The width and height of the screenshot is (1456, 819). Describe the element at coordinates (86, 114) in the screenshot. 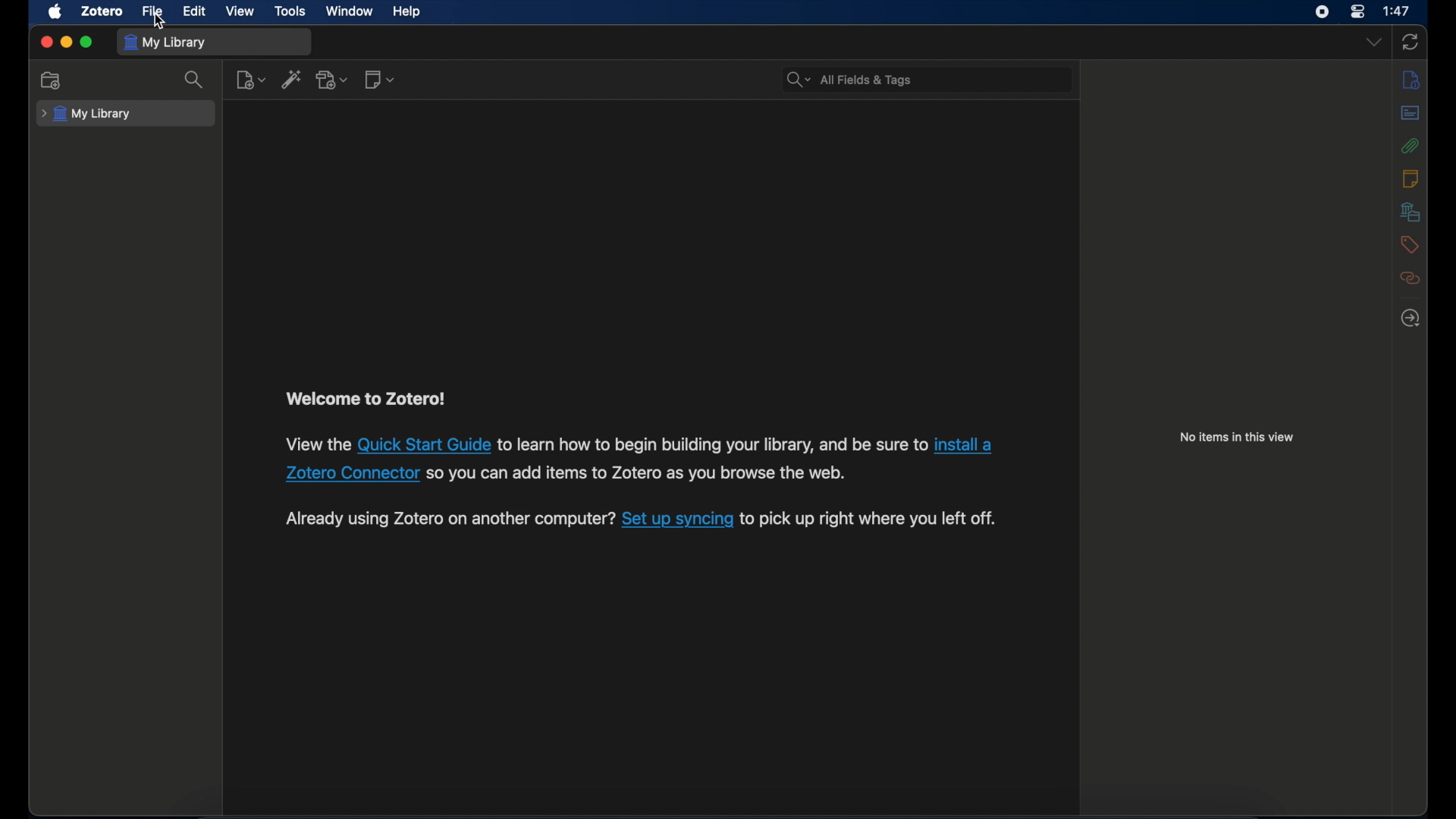

I see `my library` at that location.